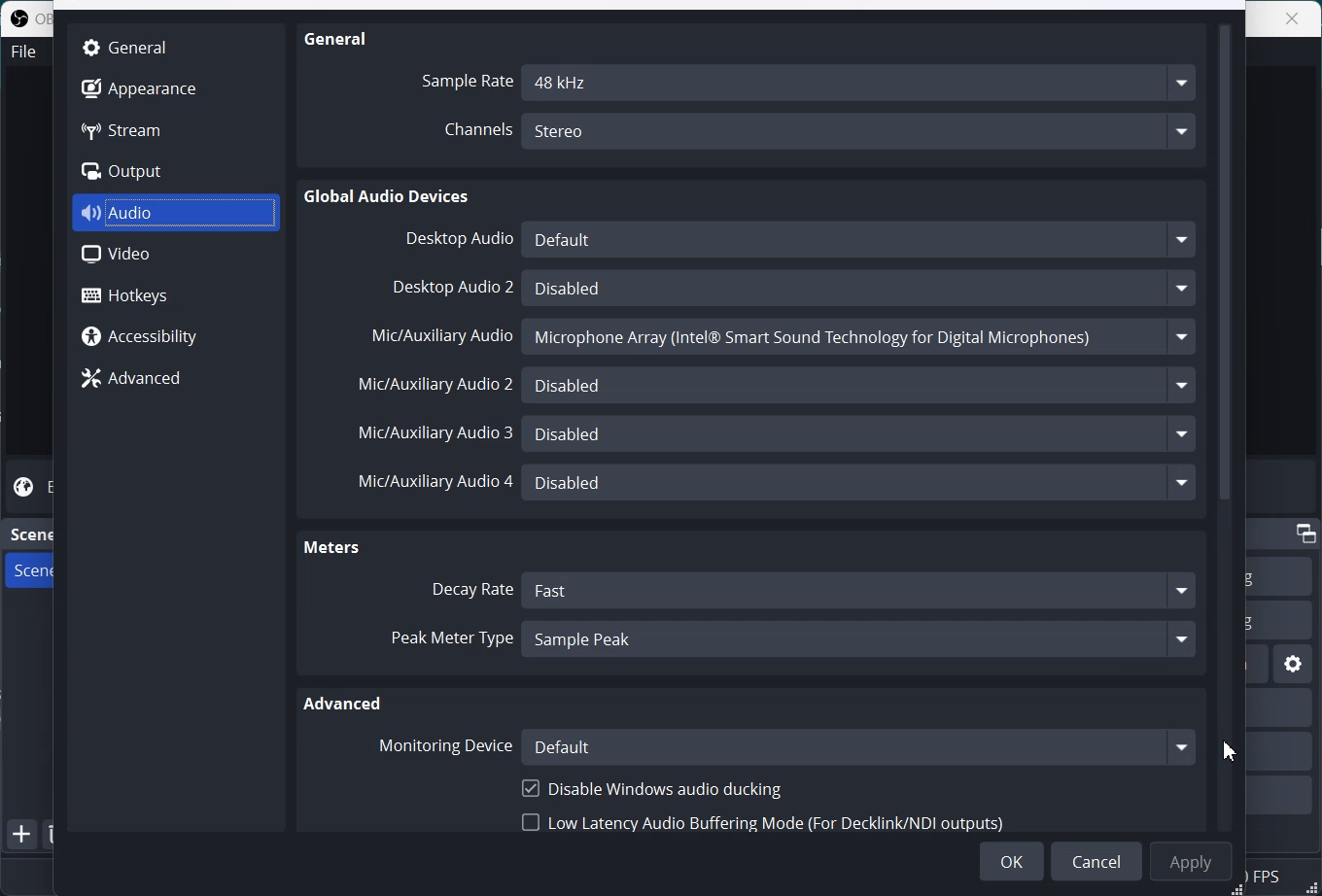  Describe the element at coordinates (134, 47) in the screenshot. I see `General` at that location.